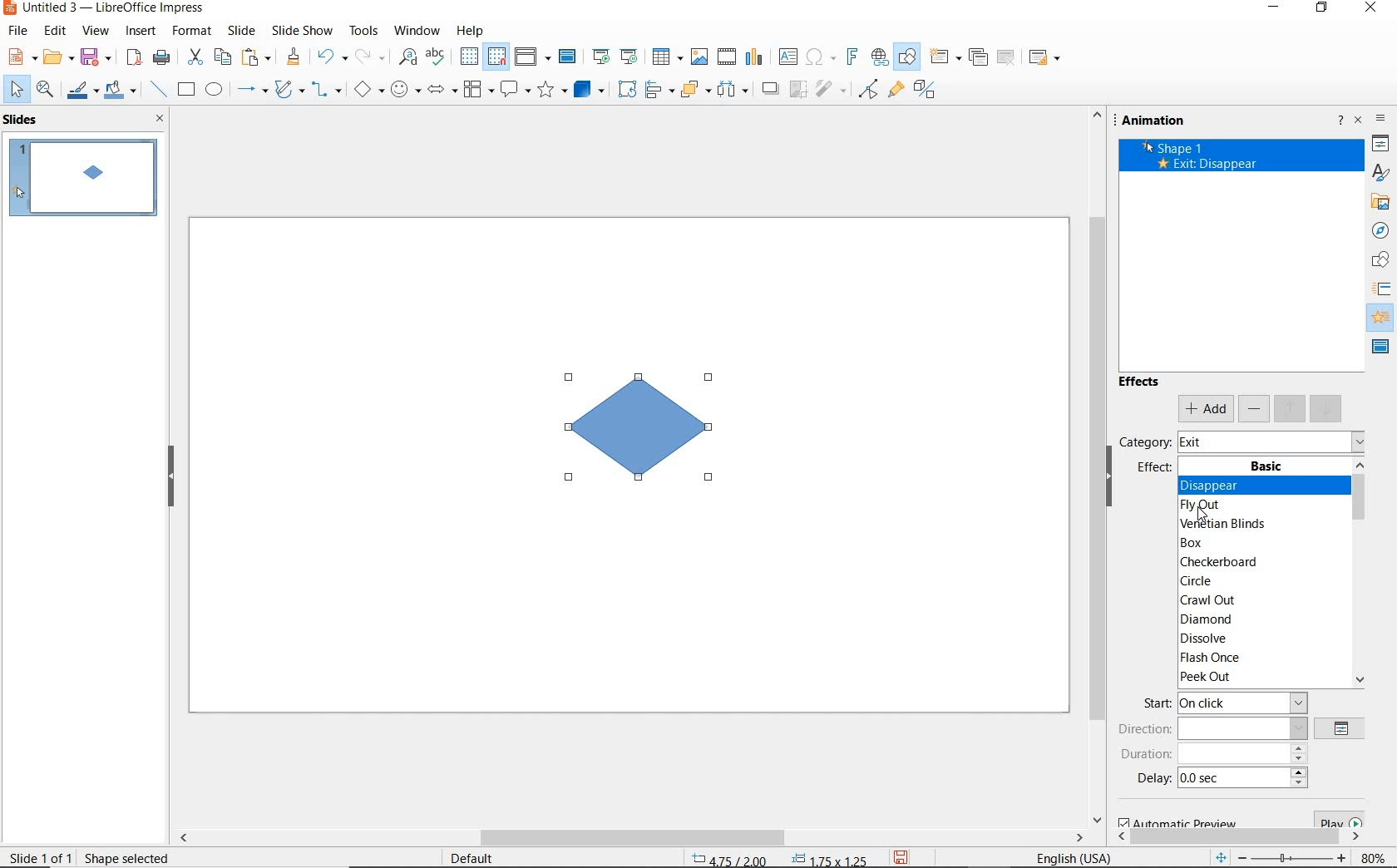 The height and width of the screenshot is (868, 1397). What do you see at coordinates (1260, 678) in the screenshot?
I see `peek out` at bounding box center [1260, 678].